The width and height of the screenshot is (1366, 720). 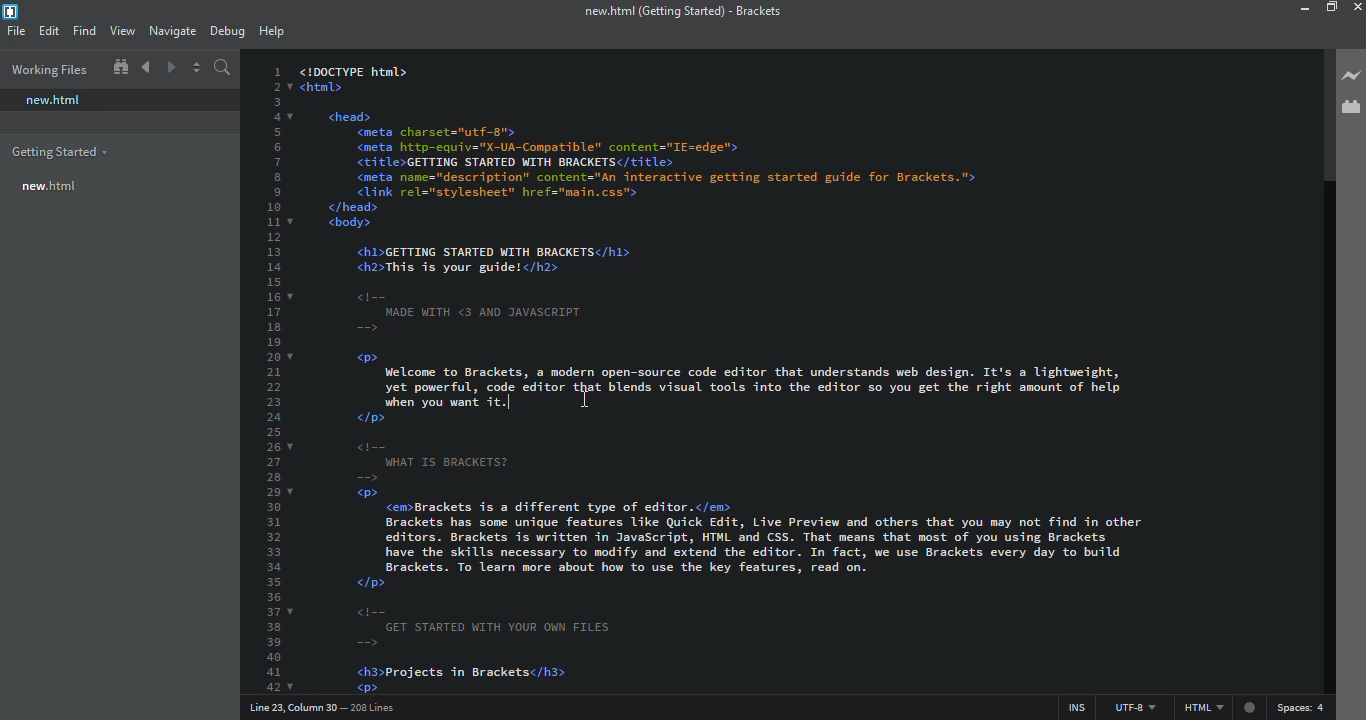 What do you see at coordinates (680, 10) in the screenshot?
I see `brackets` at bounding box center [680, 10].